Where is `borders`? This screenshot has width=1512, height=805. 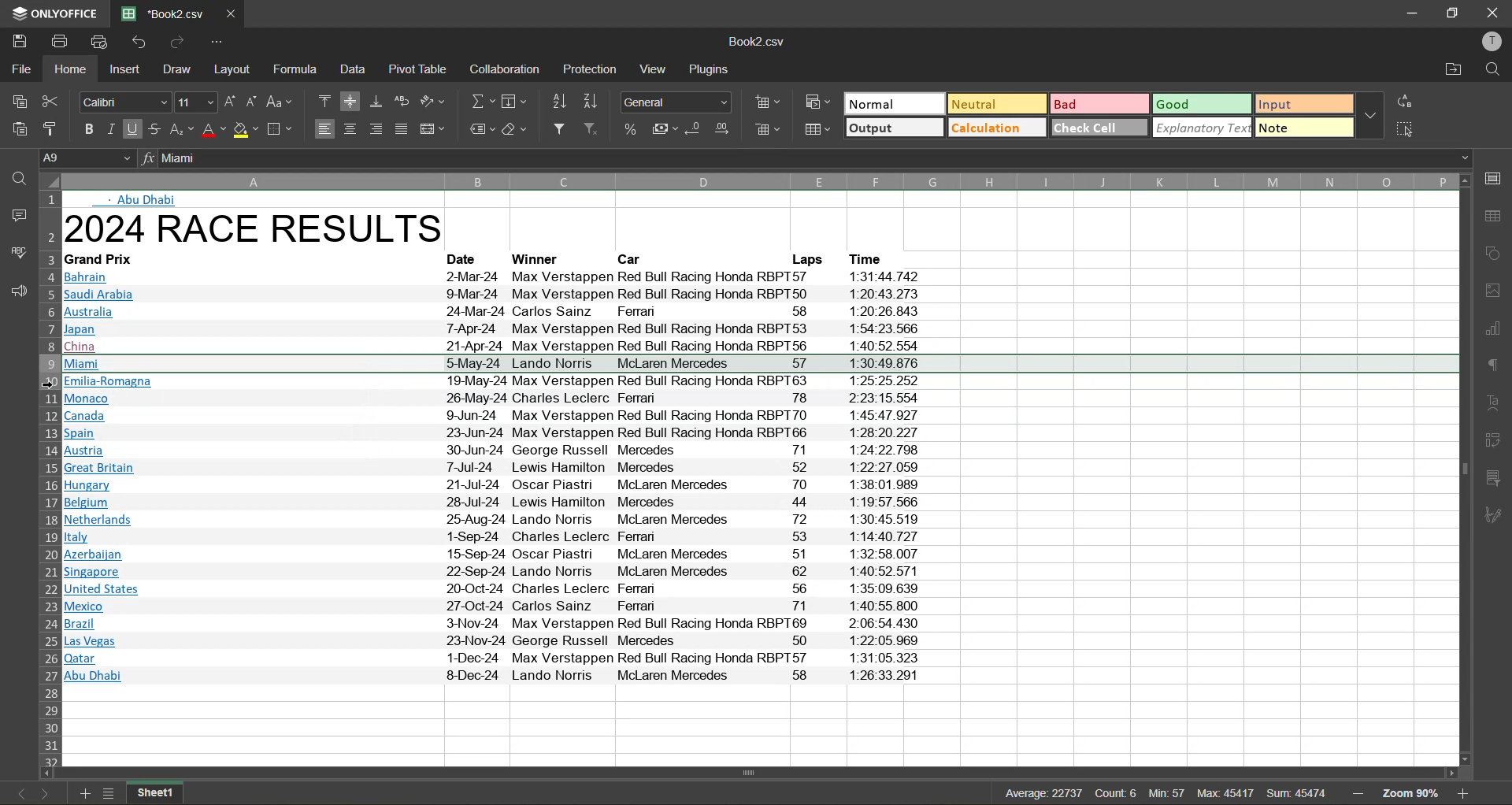
borders is located at coordinates (280, 131).